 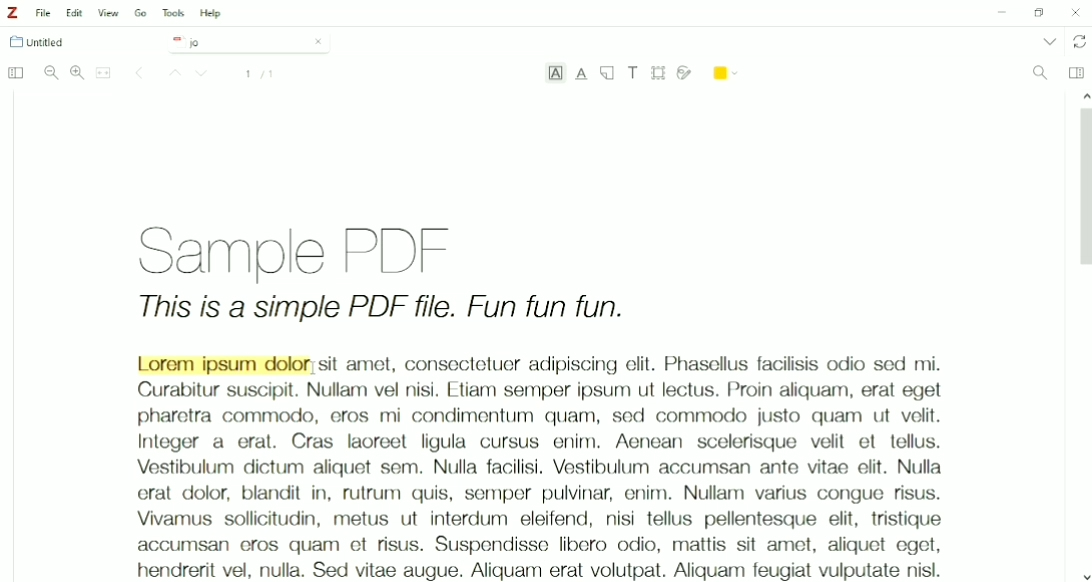 I want to click on Vertical scrollbar, so click(x=1082, y=192).